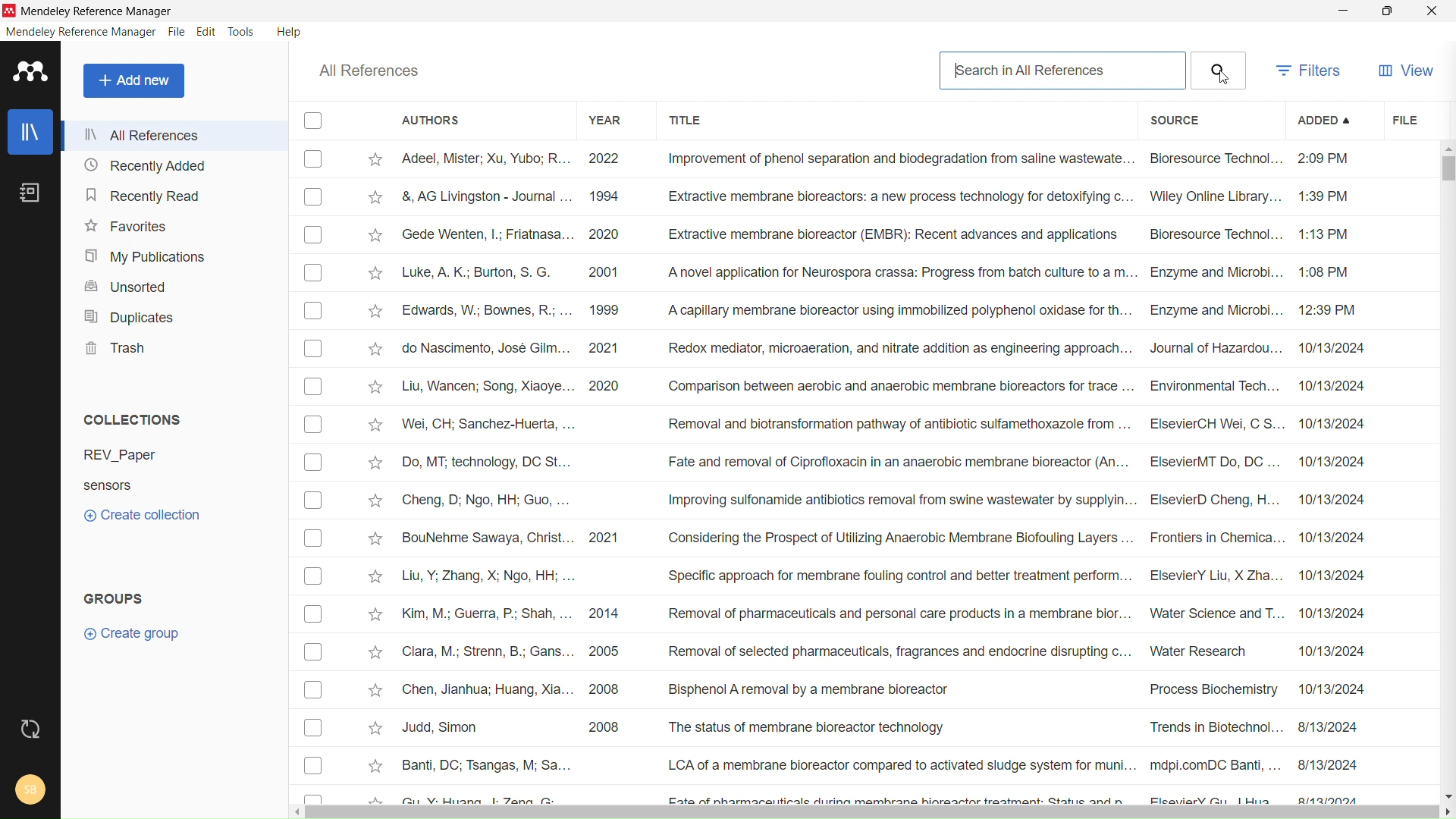  I want to click on Checkbox, so click(314, 197).